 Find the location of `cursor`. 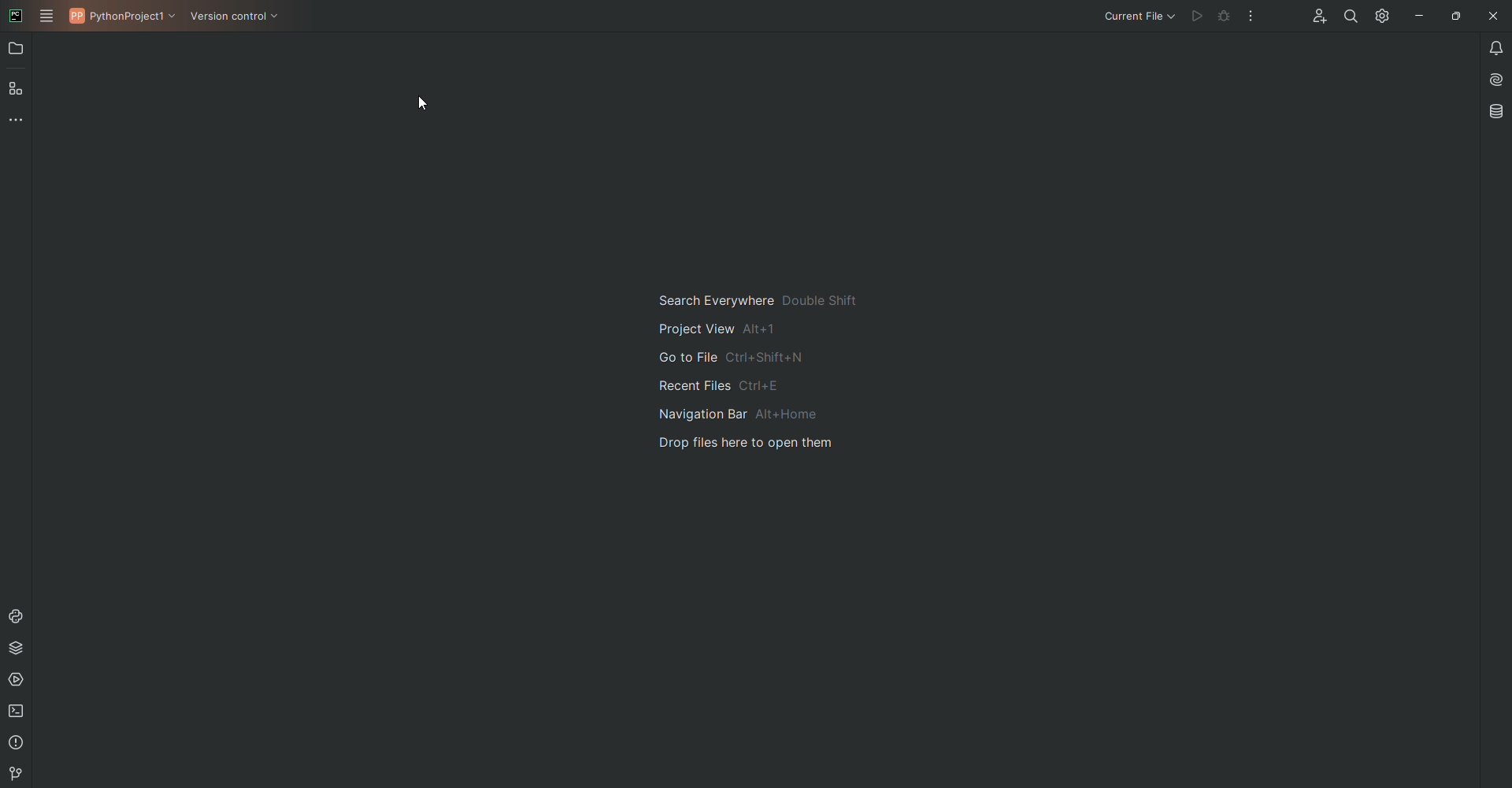

cursor is located at coordinates (424, 103).